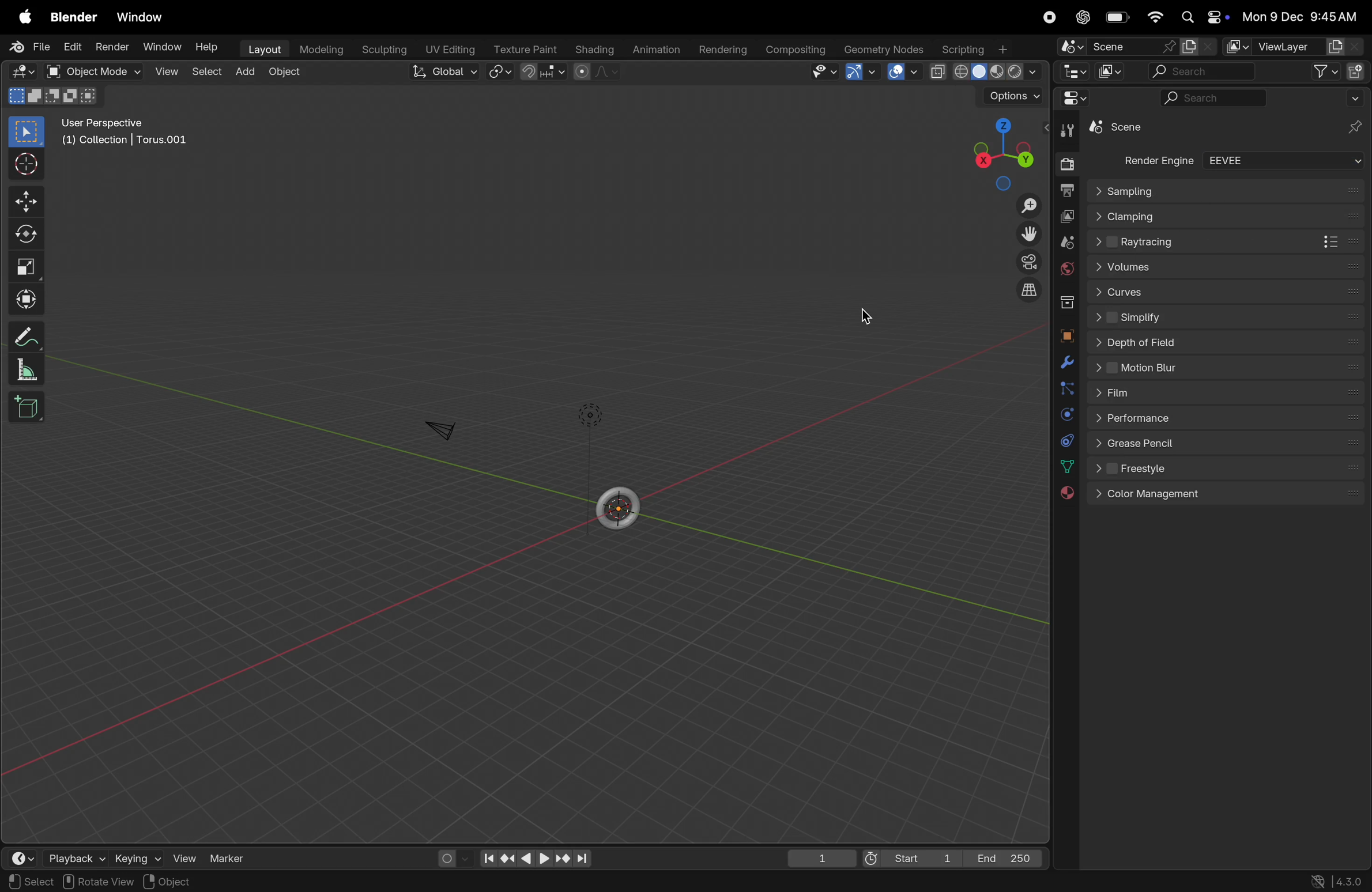  What do you see at coordinates (822, 860) in the screenshot?
I see `1` at bounding box center [822, 860].